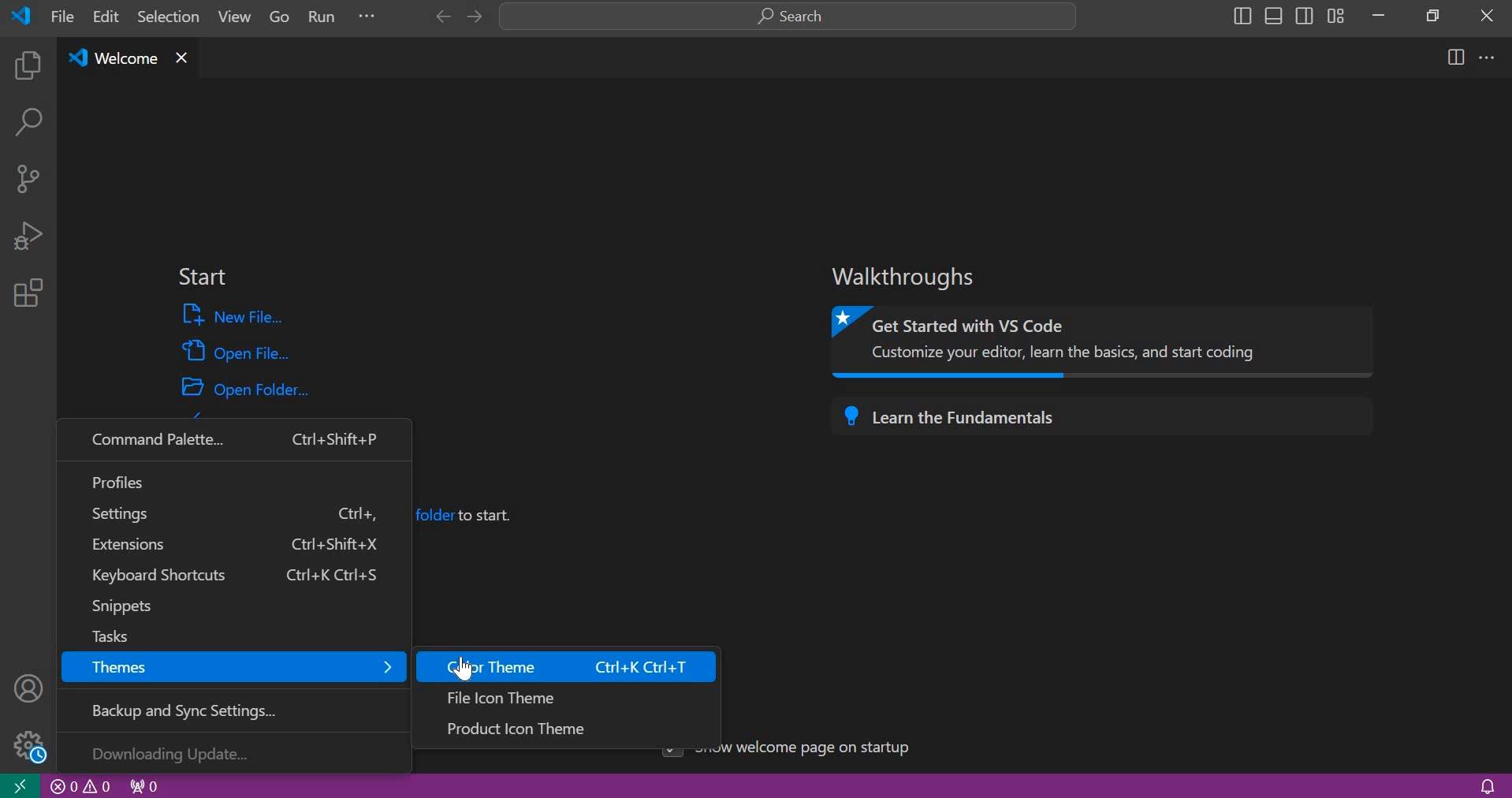 This screenshot has height=798, width=1512. Describe the element at coordinates (1457, 57) in the screenshot. I see `split editor right` at that location.